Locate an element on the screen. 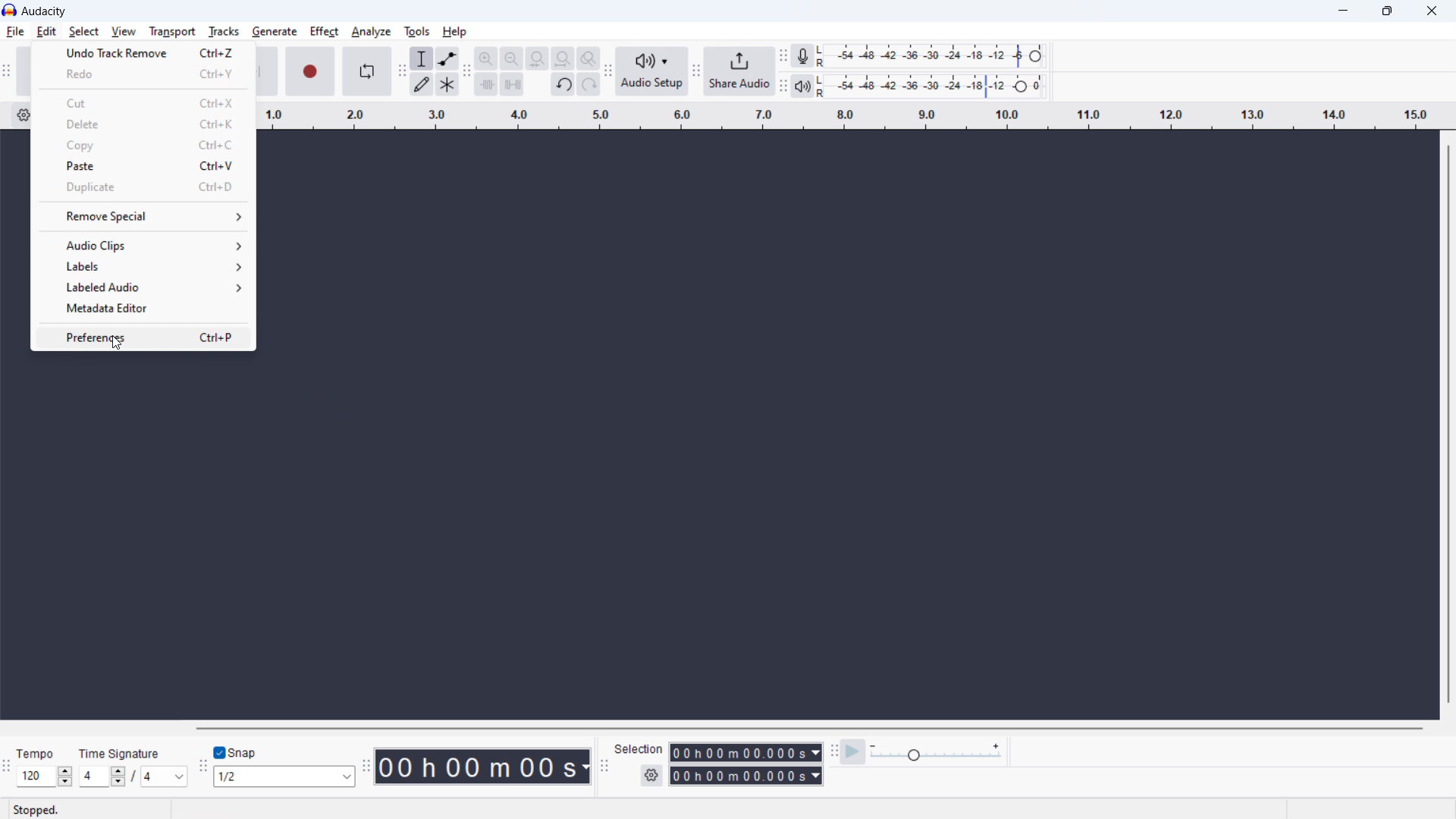 This screenshot has height=819, width=1456. multi tool is located at coordinates (447, 84).